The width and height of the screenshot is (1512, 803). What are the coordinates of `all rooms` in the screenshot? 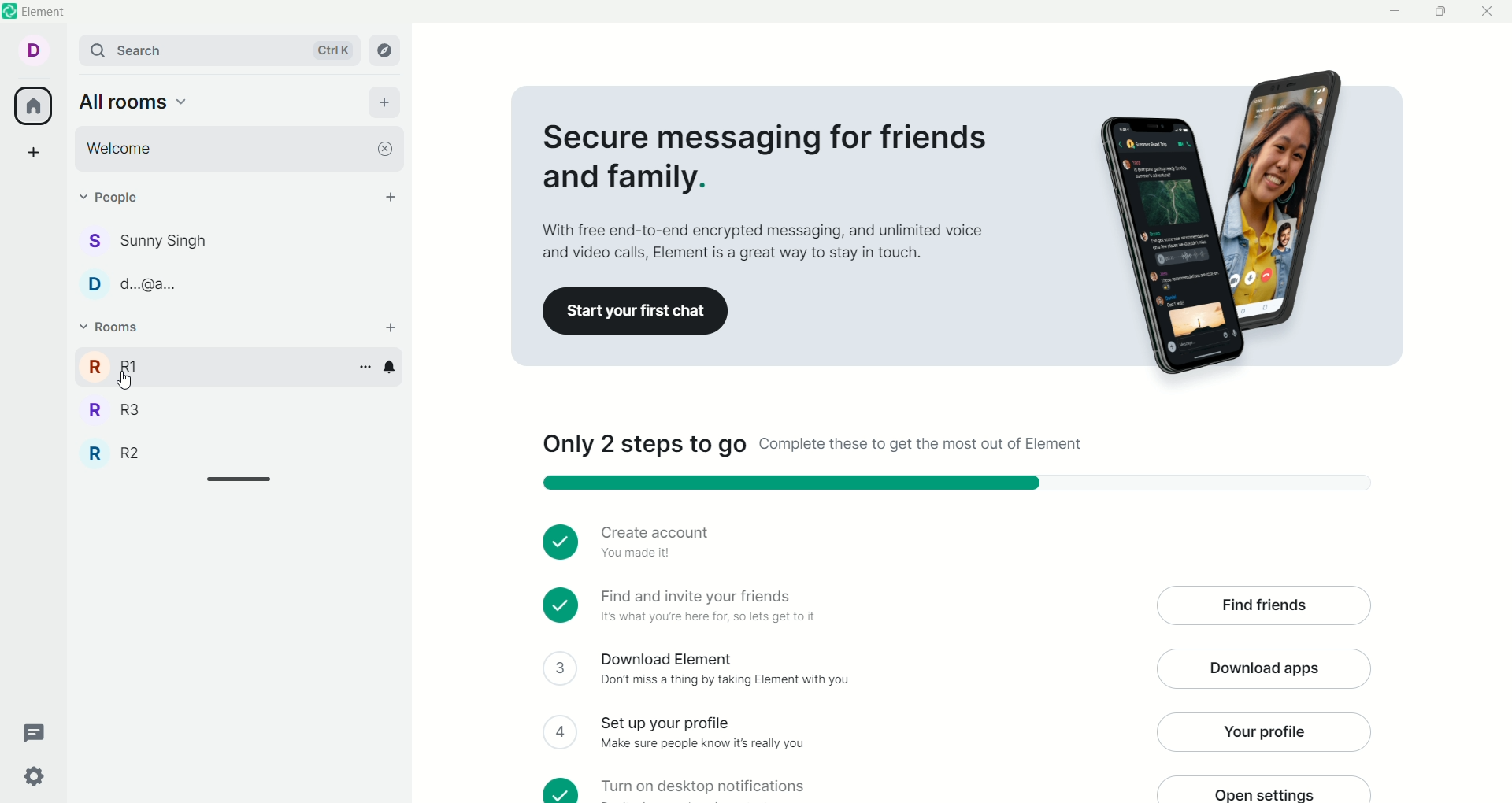 It's located at (135, 102).